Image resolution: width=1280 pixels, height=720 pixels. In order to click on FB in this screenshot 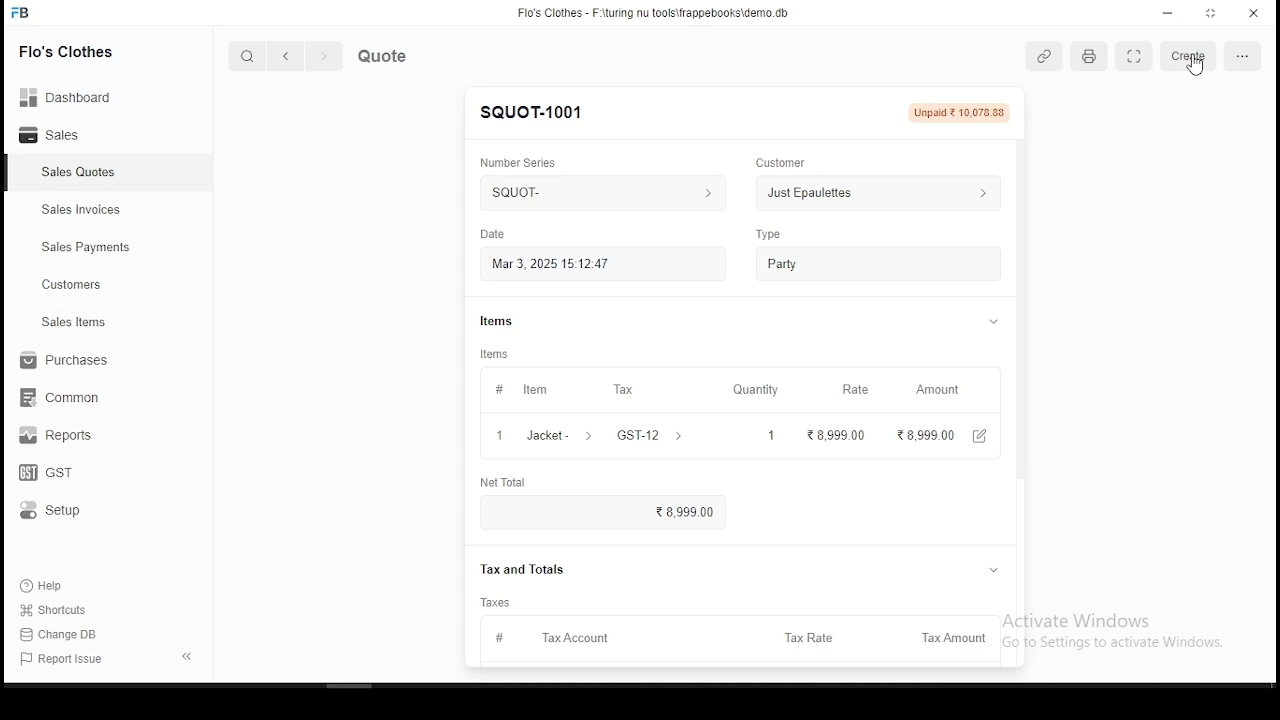, I will do `click(35, 12)`.